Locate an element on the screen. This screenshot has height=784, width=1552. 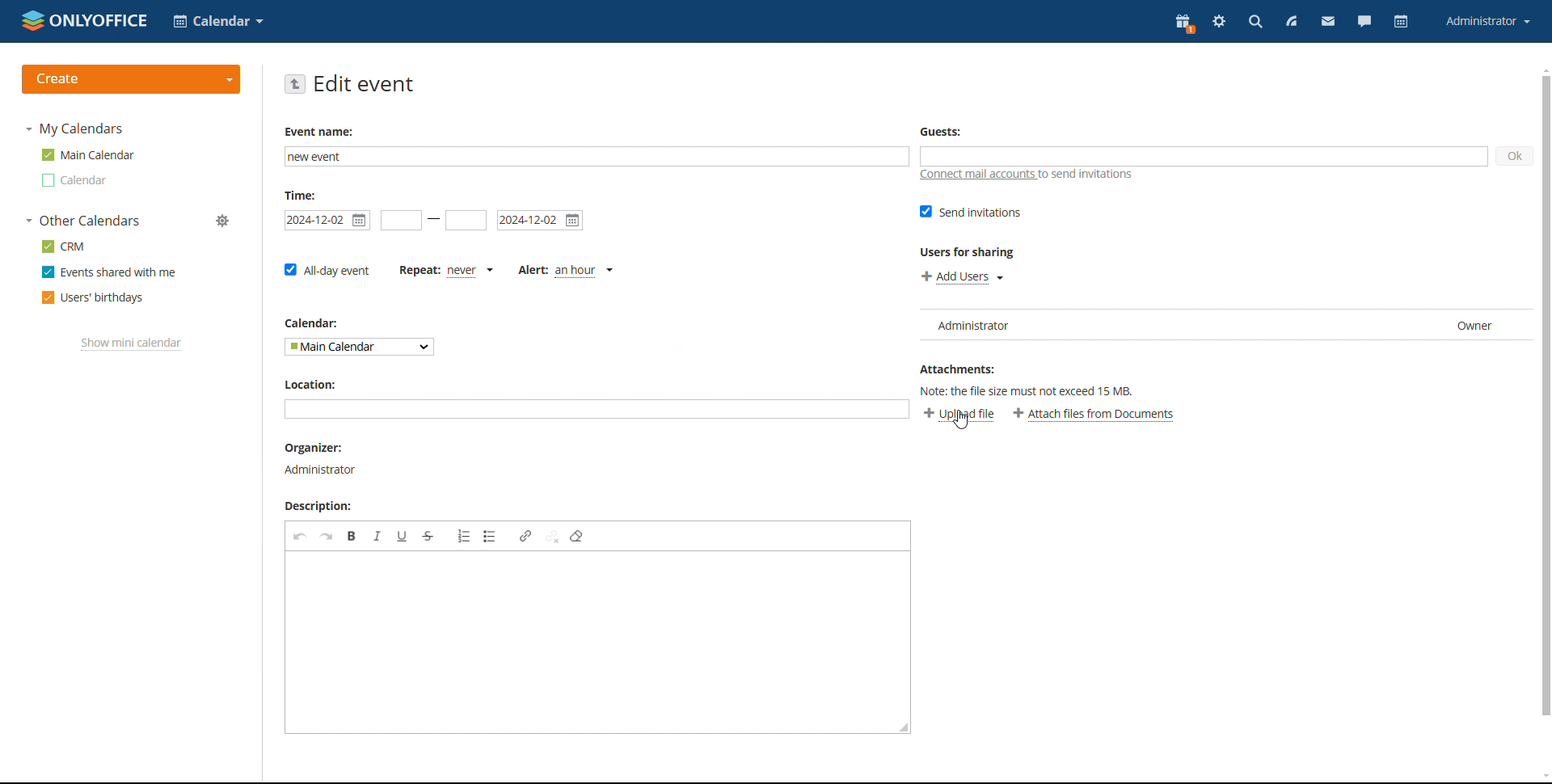
settings is located at coordinates (1221, 23).